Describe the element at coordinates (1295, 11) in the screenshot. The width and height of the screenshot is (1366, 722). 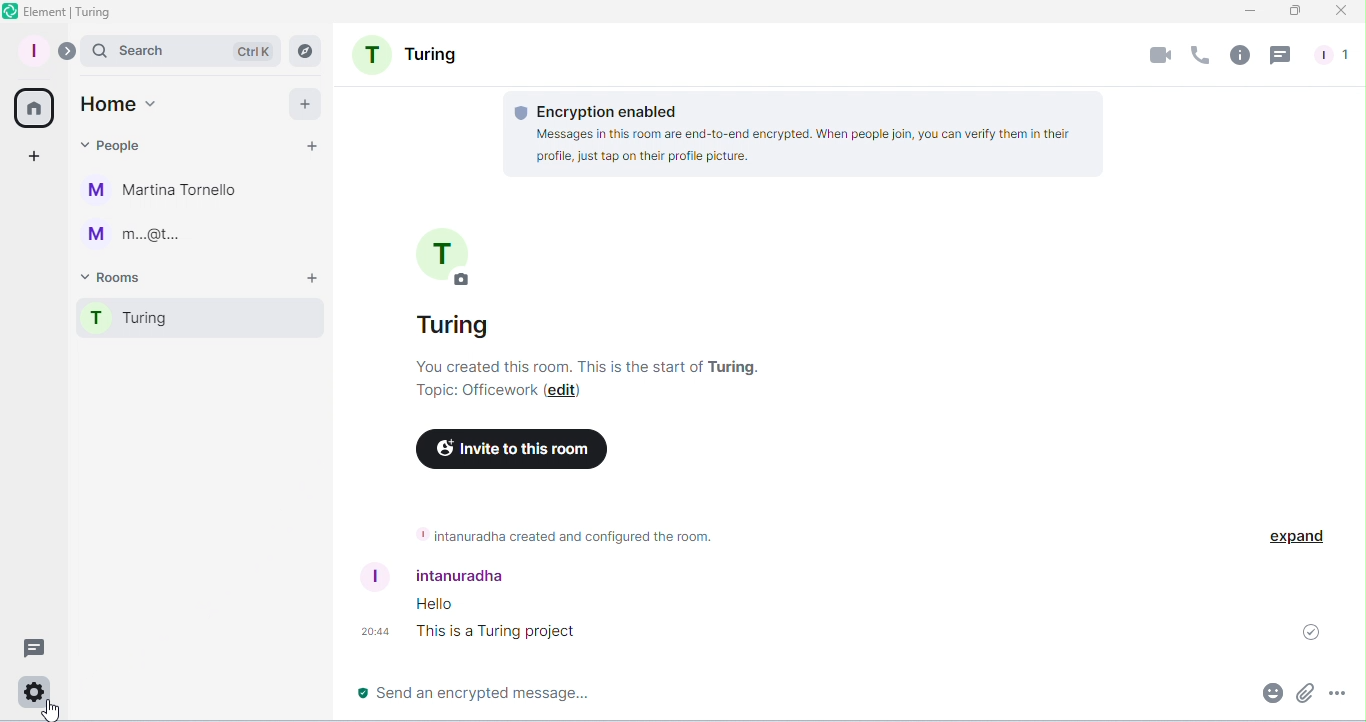
I see `Maximize` at that location.